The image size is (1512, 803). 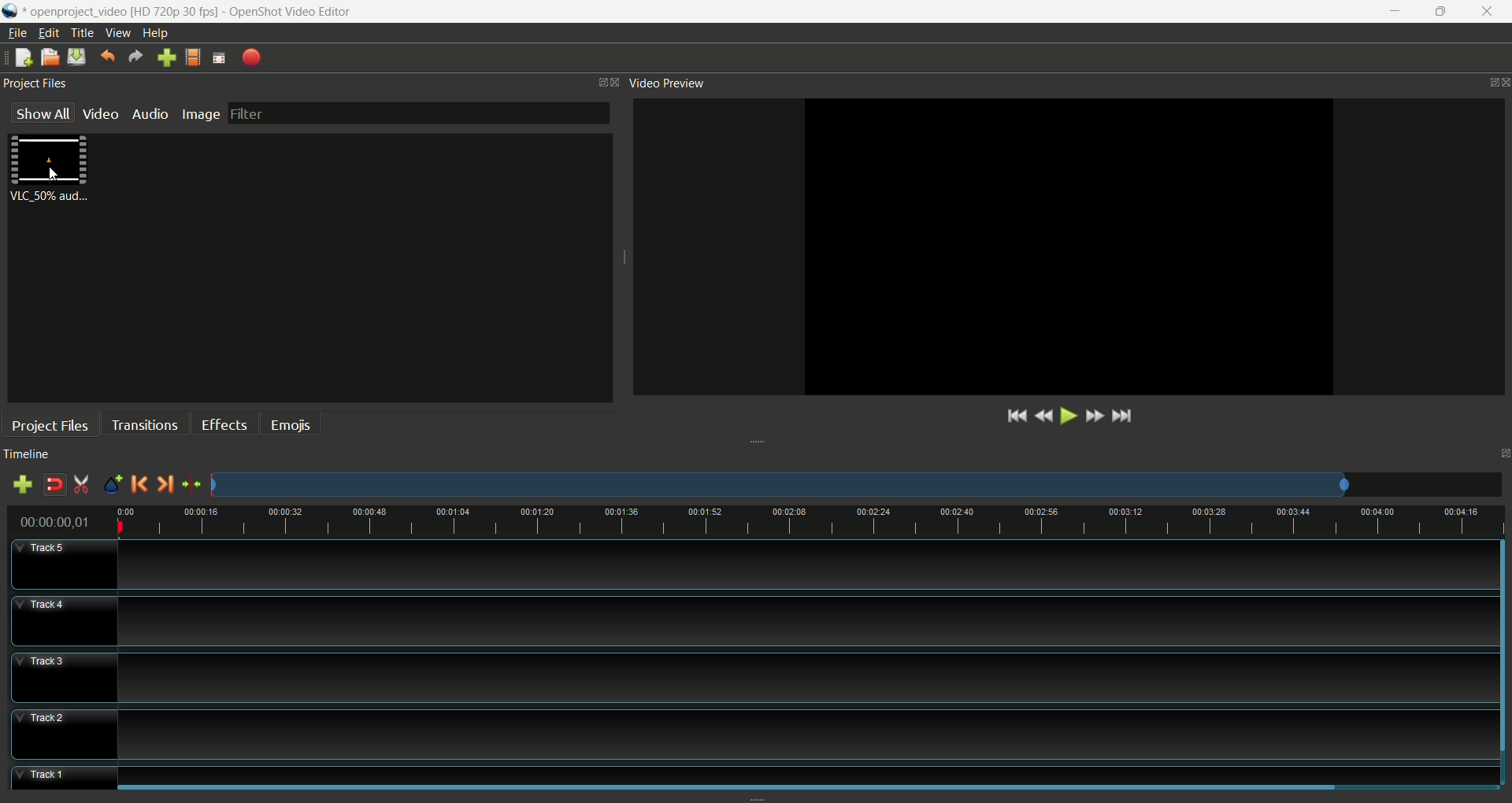 I want to click on track4, so click(x=754, y=620).